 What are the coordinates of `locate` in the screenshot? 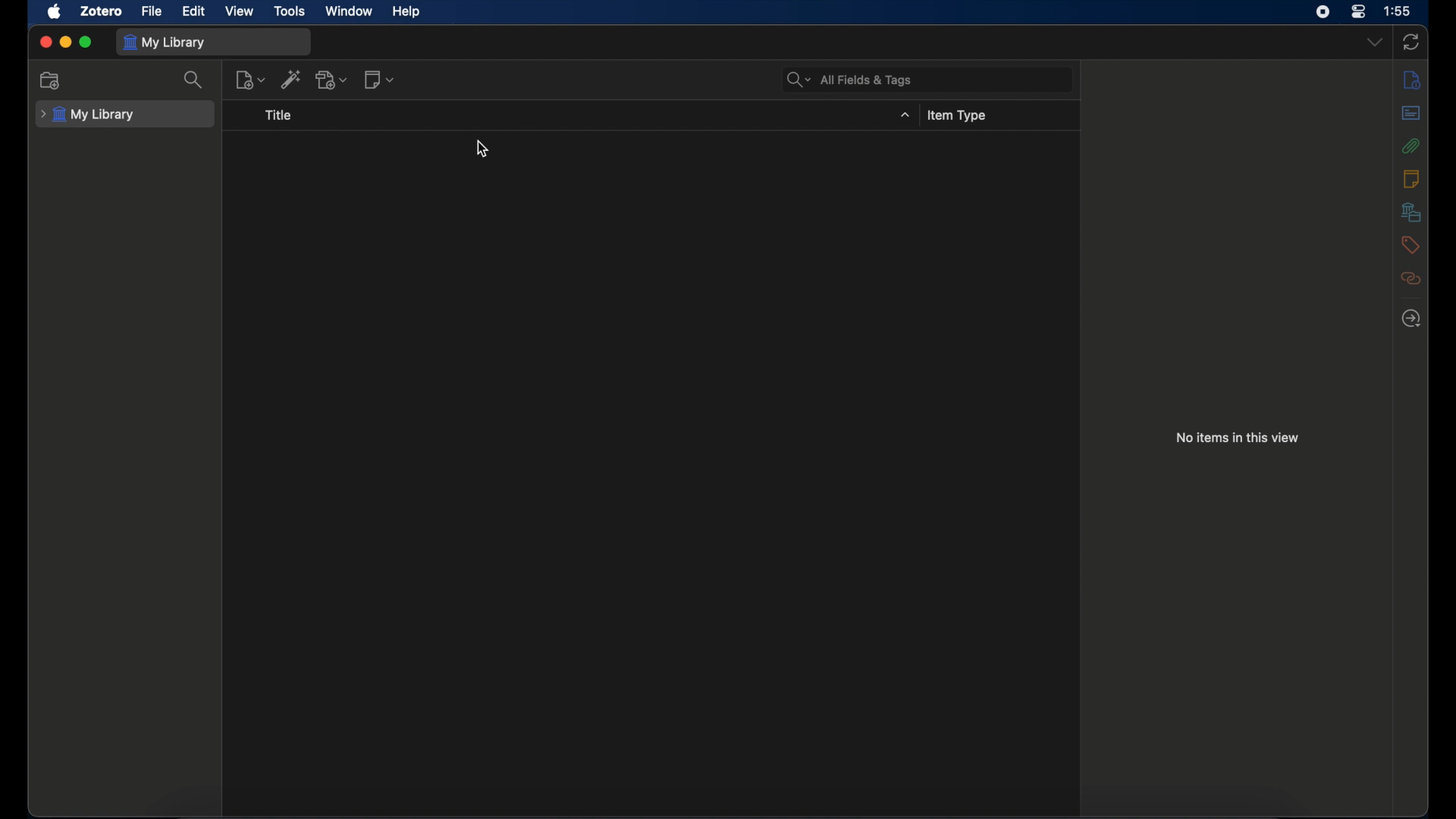 It's located at (1414, 318).